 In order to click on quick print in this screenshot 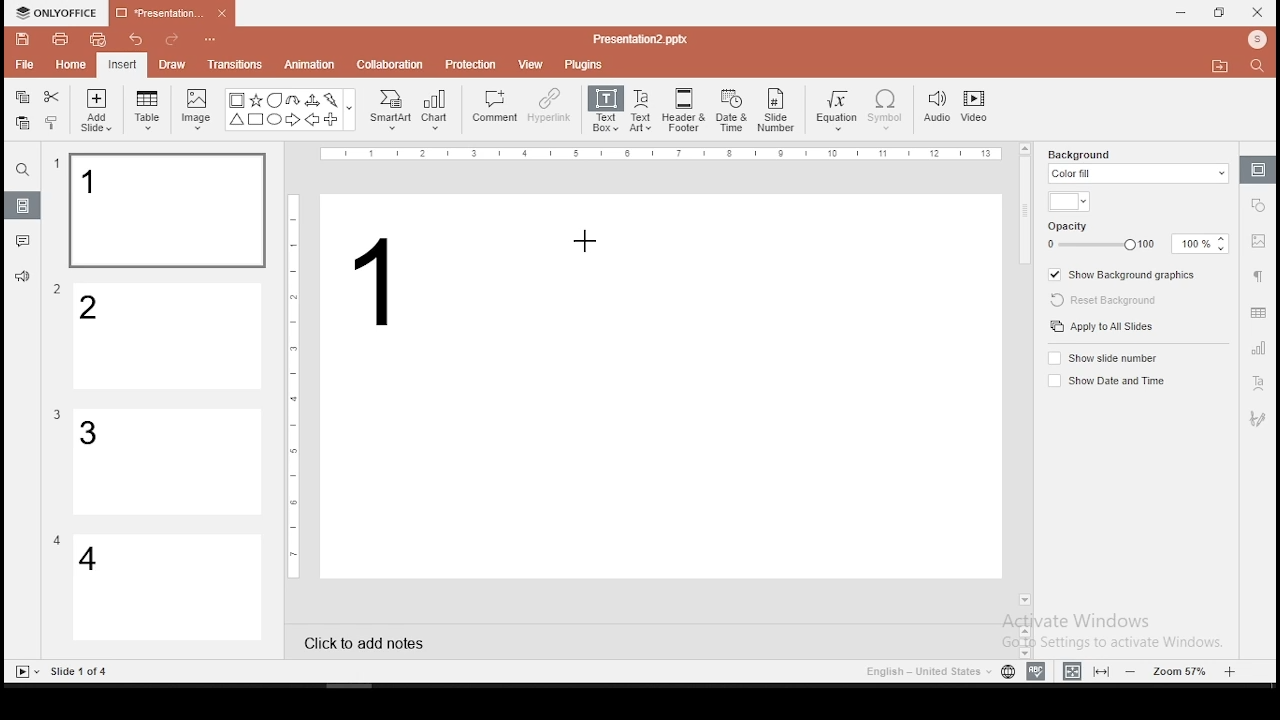, I will do `click(98, 39)`.